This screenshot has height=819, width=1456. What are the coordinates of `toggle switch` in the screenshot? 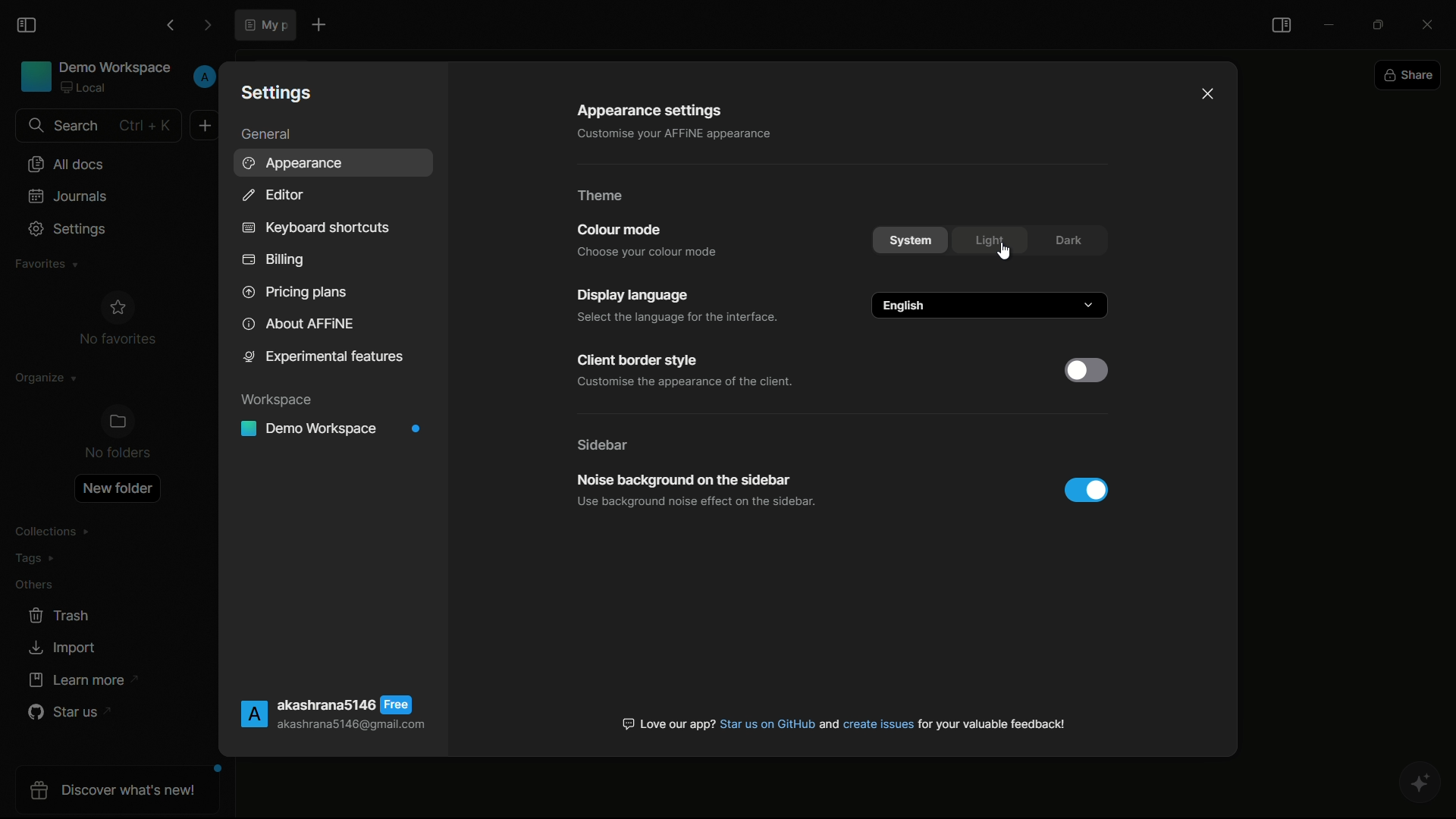 It's located at (1087, 490).